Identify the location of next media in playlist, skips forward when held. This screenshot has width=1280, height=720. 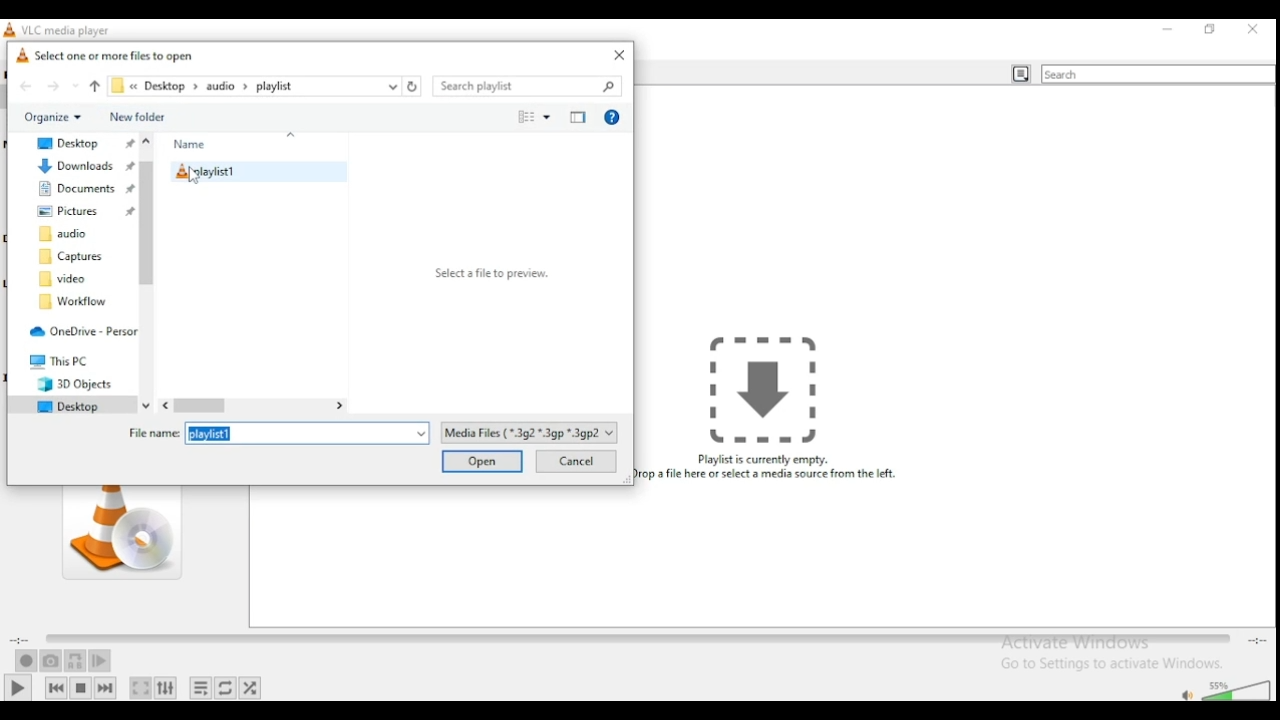
(112, 688).